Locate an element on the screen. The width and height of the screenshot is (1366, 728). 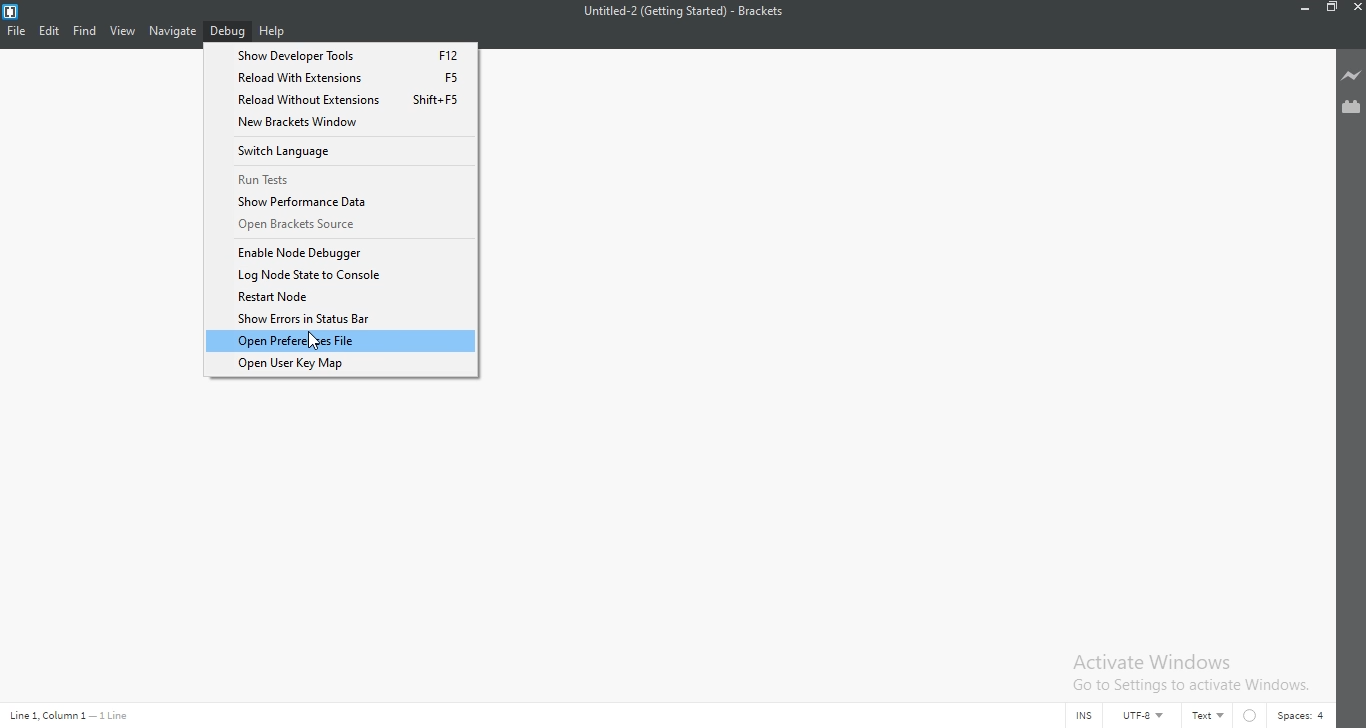
file is located at coordinates (15, 31).